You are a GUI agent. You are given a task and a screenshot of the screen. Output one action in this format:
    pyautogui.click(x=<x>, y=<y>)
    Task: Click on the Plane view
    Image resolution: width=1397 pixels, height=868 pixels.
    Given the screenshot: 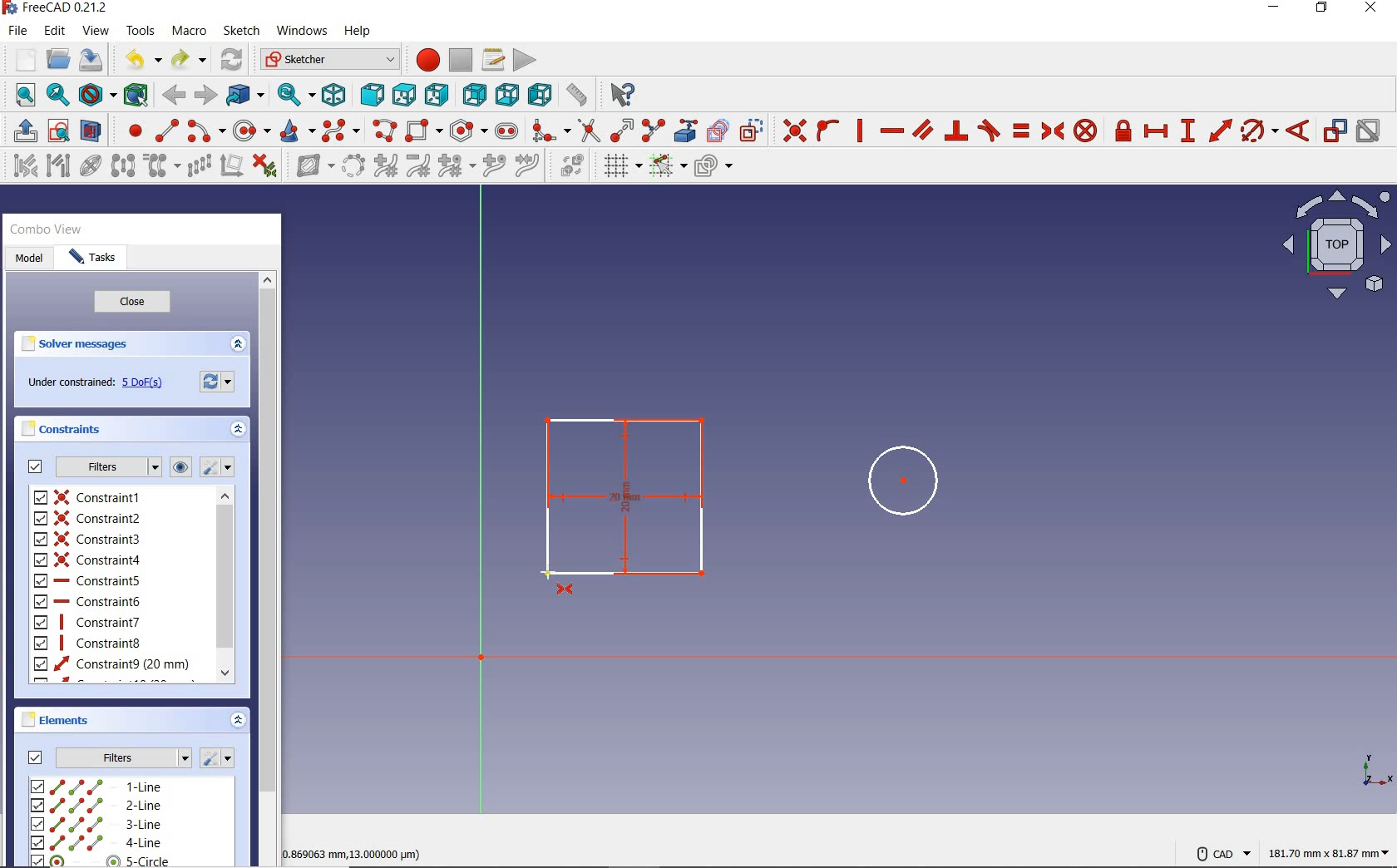 What is the action you would take?
    pyautogui.click(x=1337, y=249)
    